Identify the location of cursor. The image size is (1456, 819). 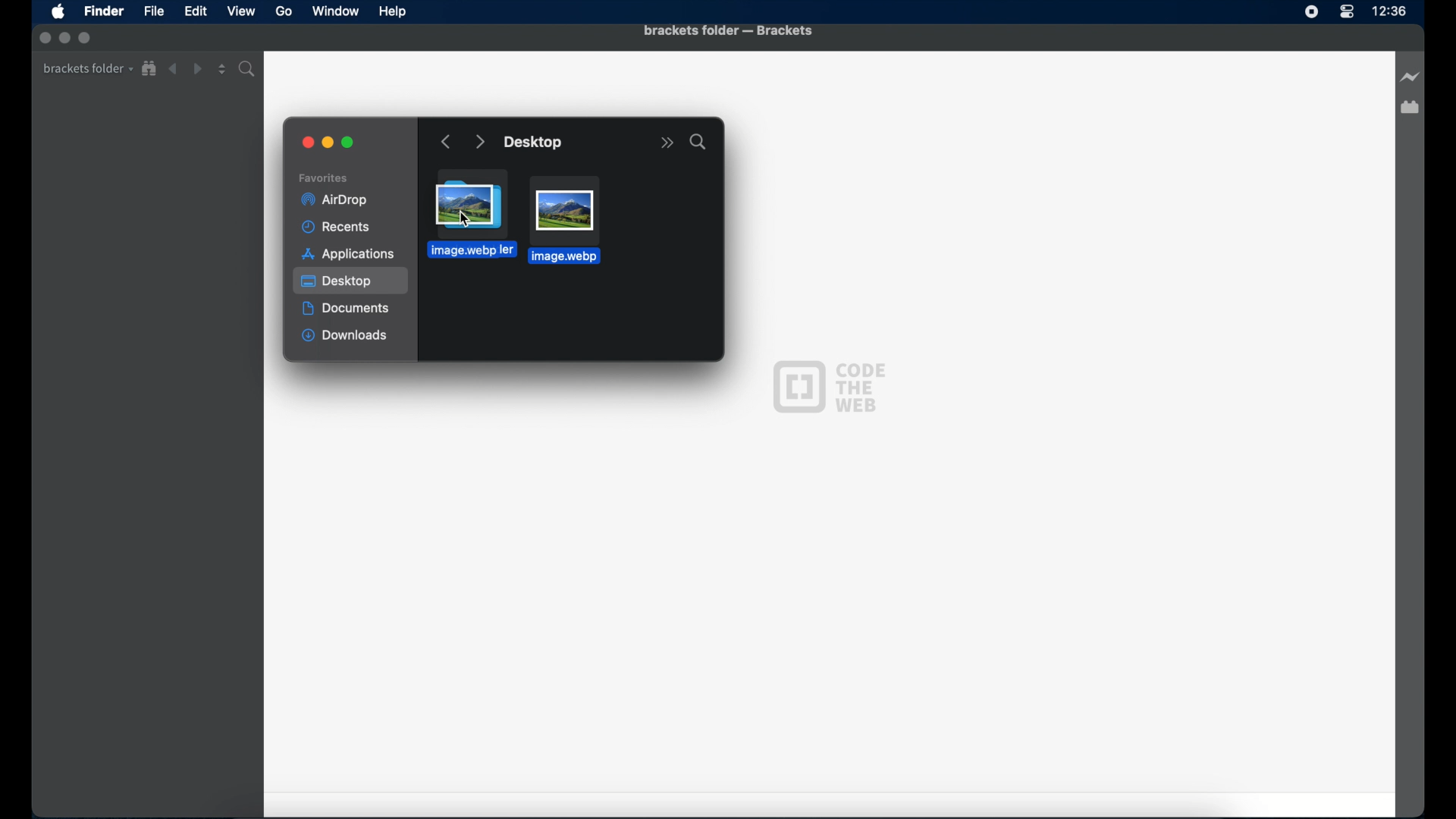
(464, 218).